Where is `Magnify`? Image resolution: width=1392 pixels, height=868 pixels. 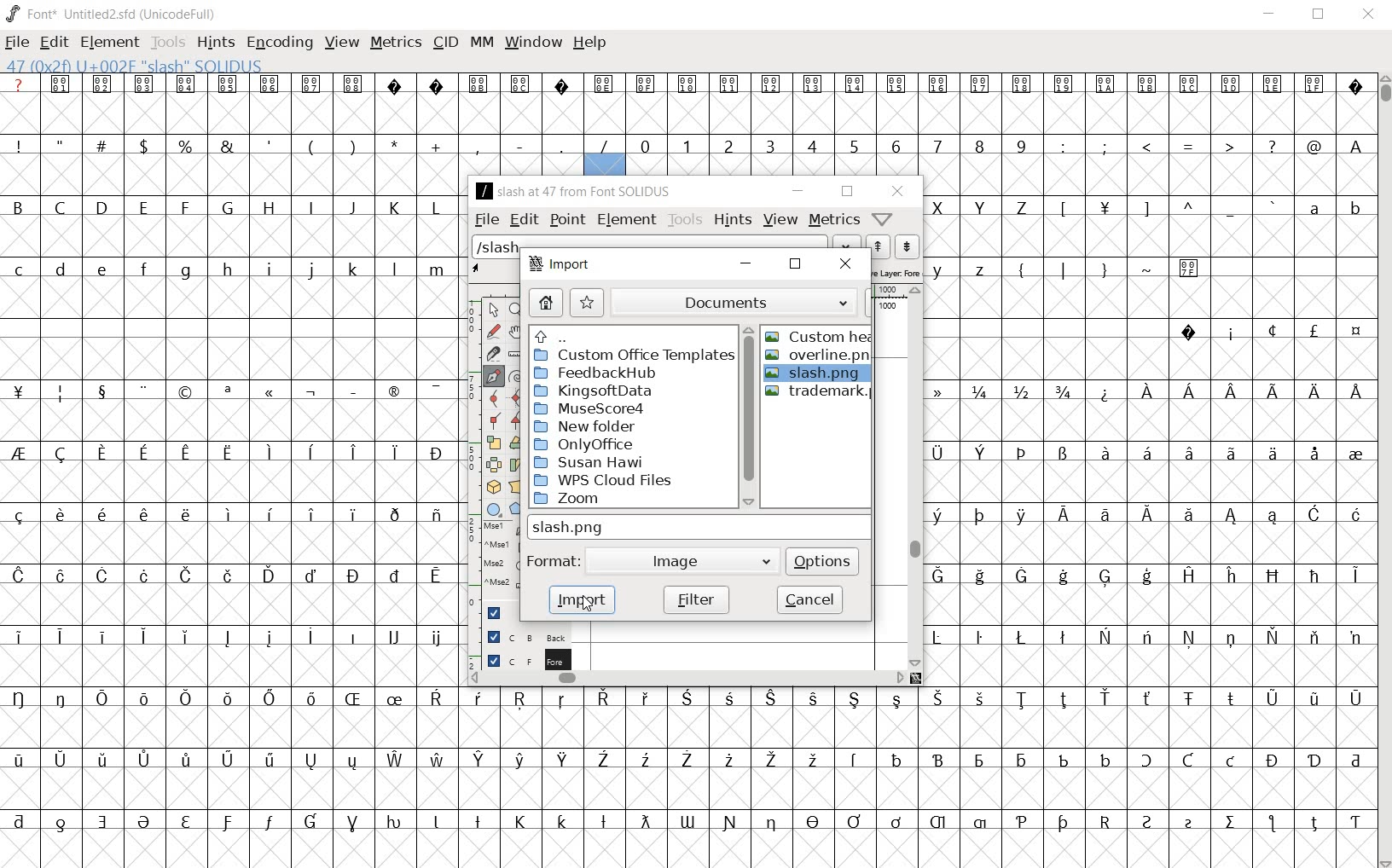 Magnify is located at coordinates (515, 310).